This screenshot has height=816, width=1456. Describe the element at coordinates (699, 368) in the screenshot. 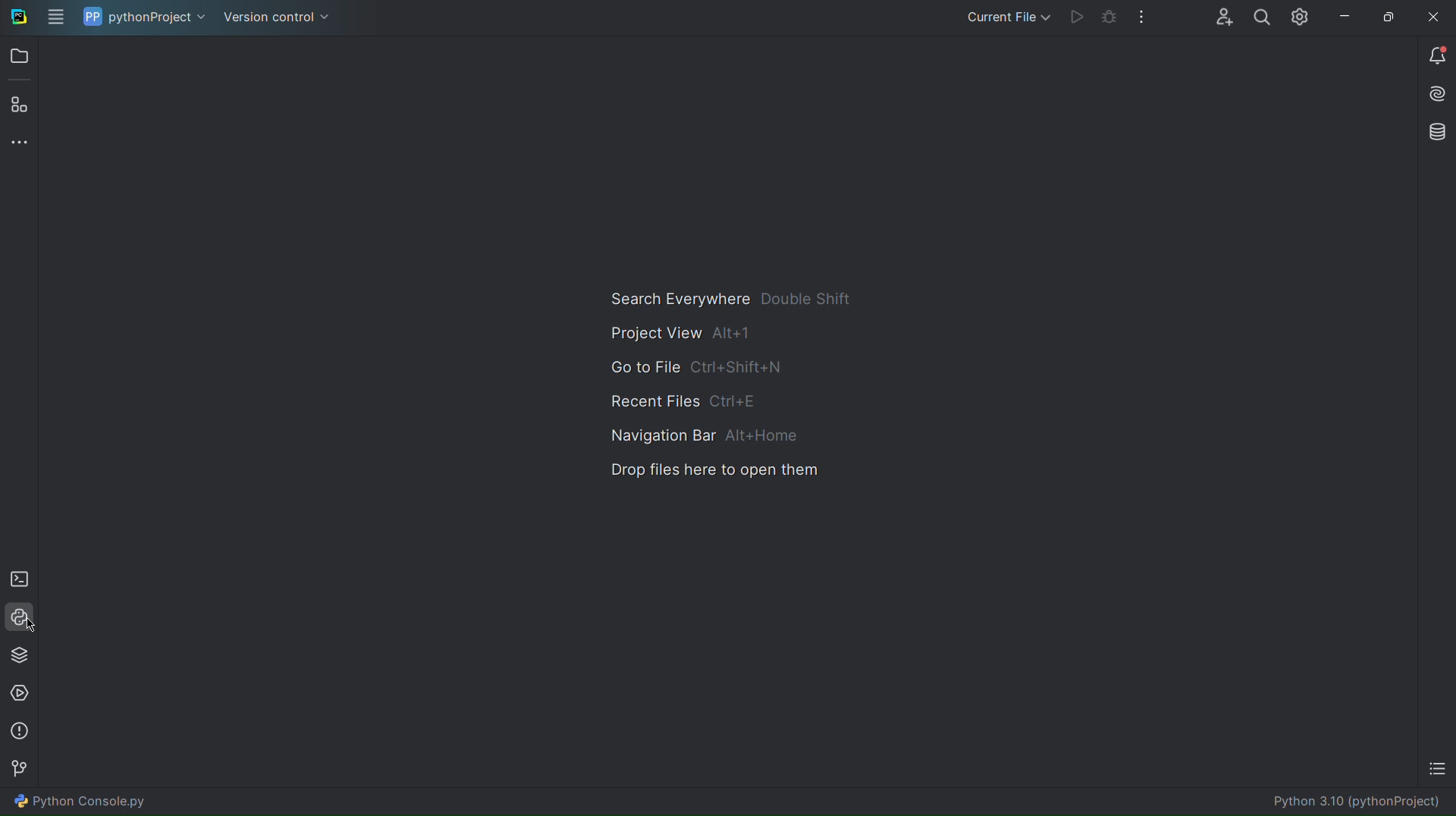

I see `Go to File` at that location.